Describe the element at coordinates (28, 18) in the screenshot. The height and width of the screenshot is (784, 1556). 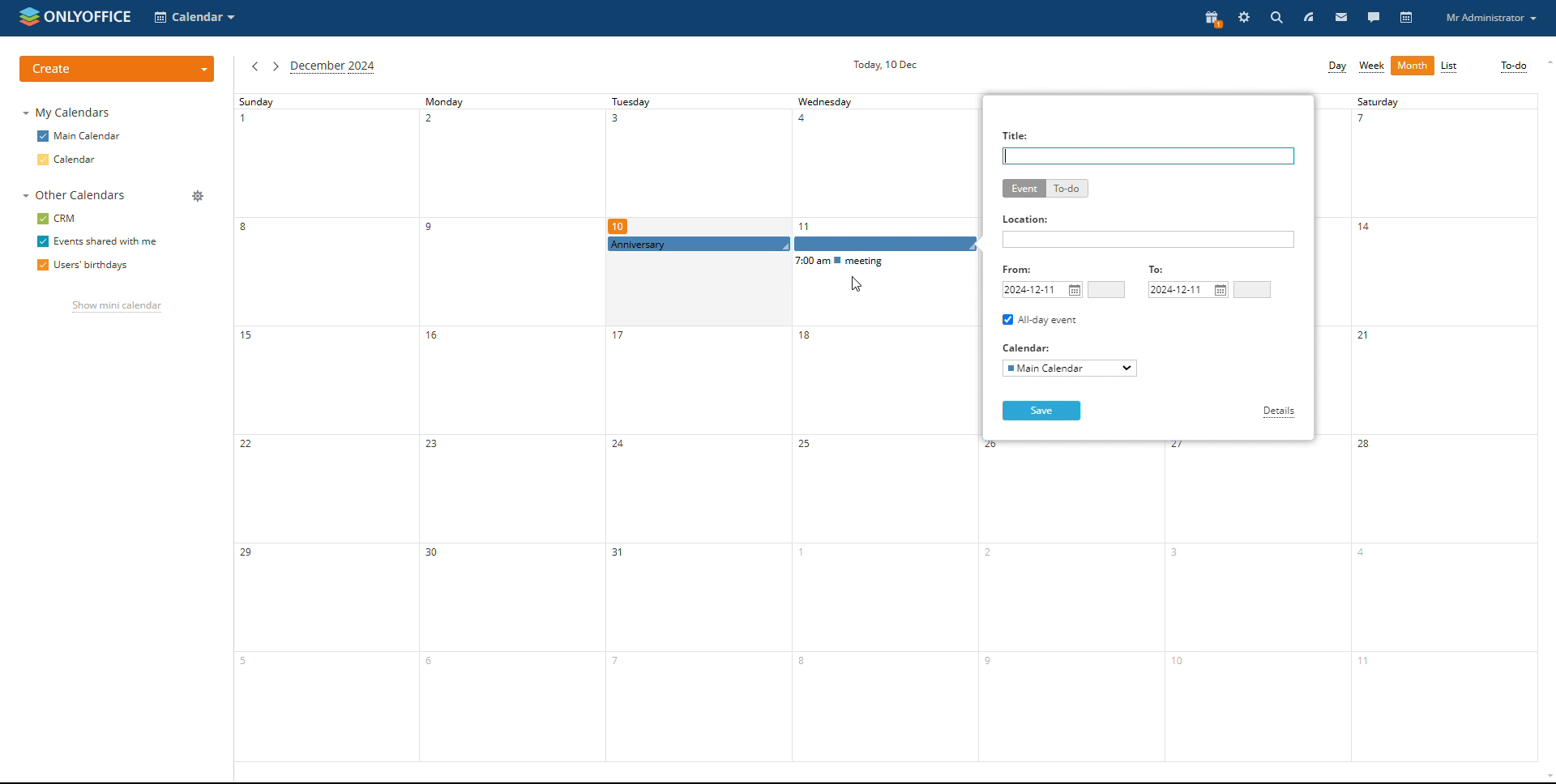
I see `onlyoffice logo` at that location.